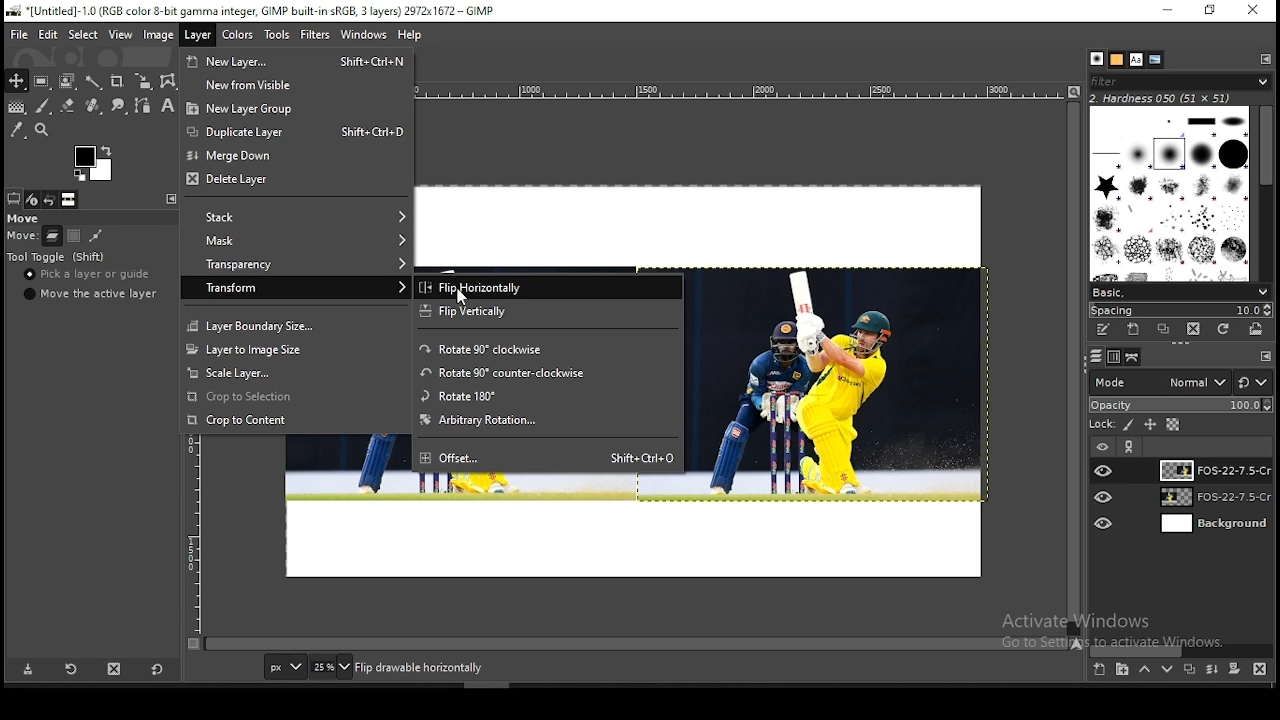  I want to click on zoom status, so click(331, 669).